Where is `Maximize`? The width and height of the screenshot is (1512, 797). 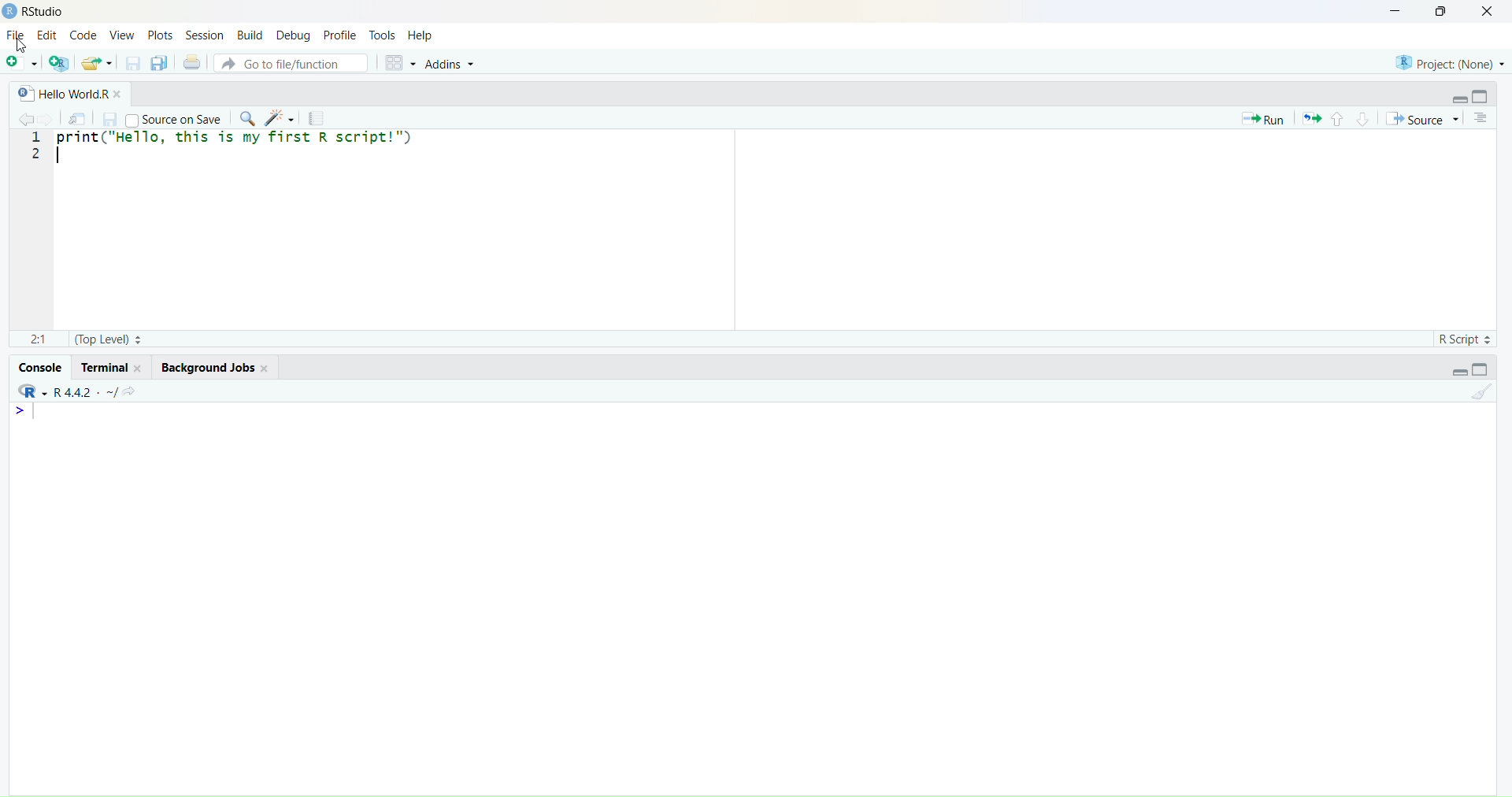 Maximize is located at coordinates (1486, 369).